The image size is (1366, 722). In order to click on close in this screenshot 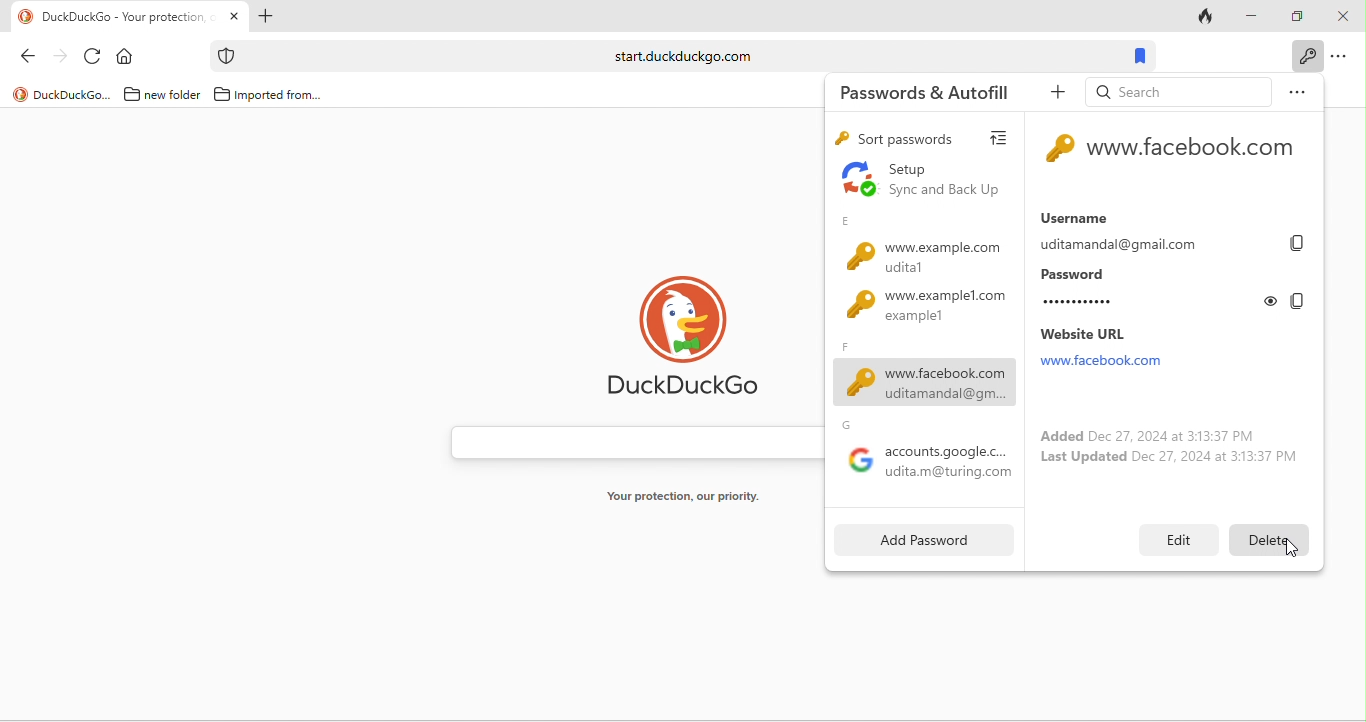, I will do `click(1343, 18)`.